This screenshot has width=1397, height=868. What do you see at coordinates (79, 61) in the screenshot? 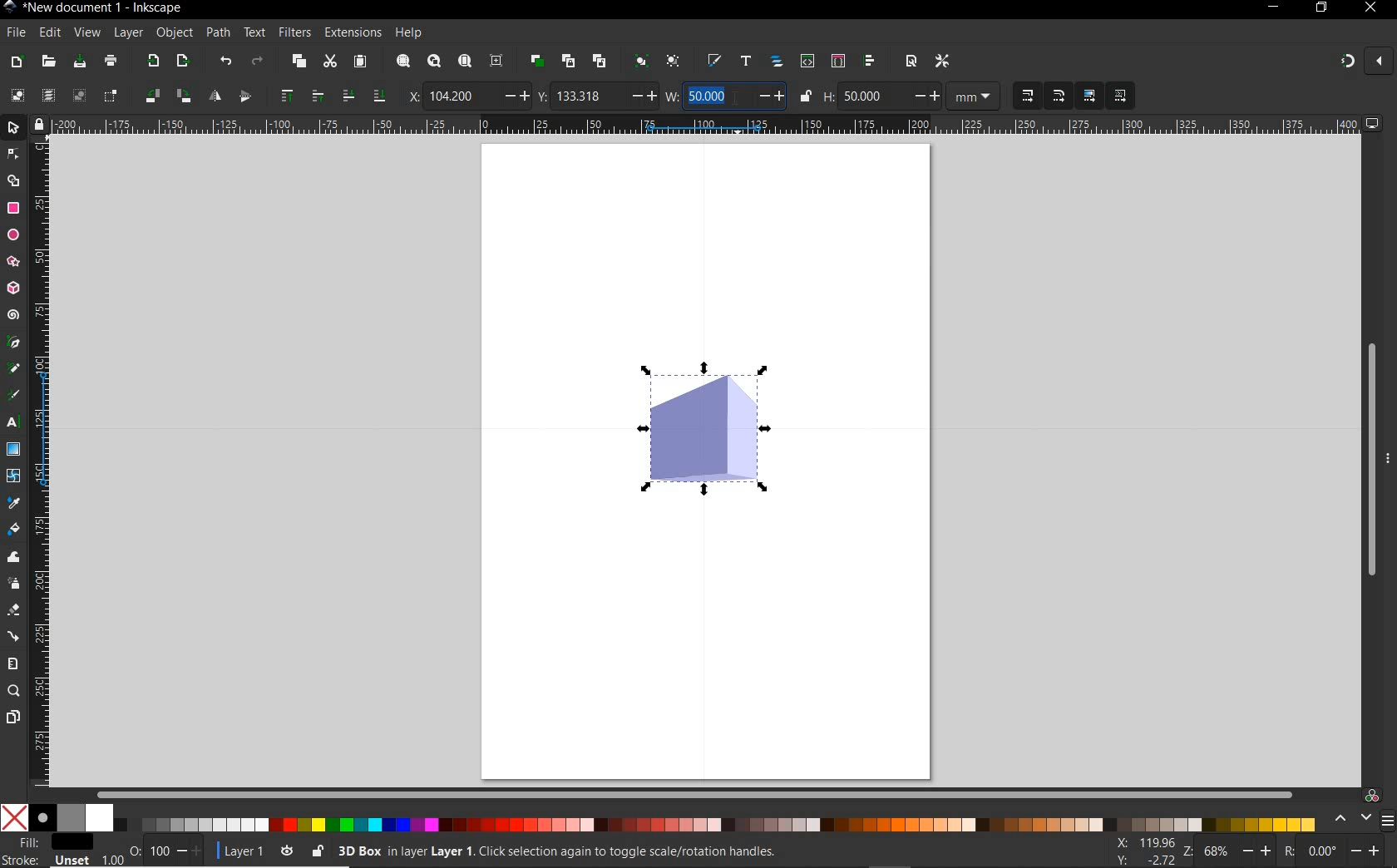
I see `save` at bounding box center [79, 61].